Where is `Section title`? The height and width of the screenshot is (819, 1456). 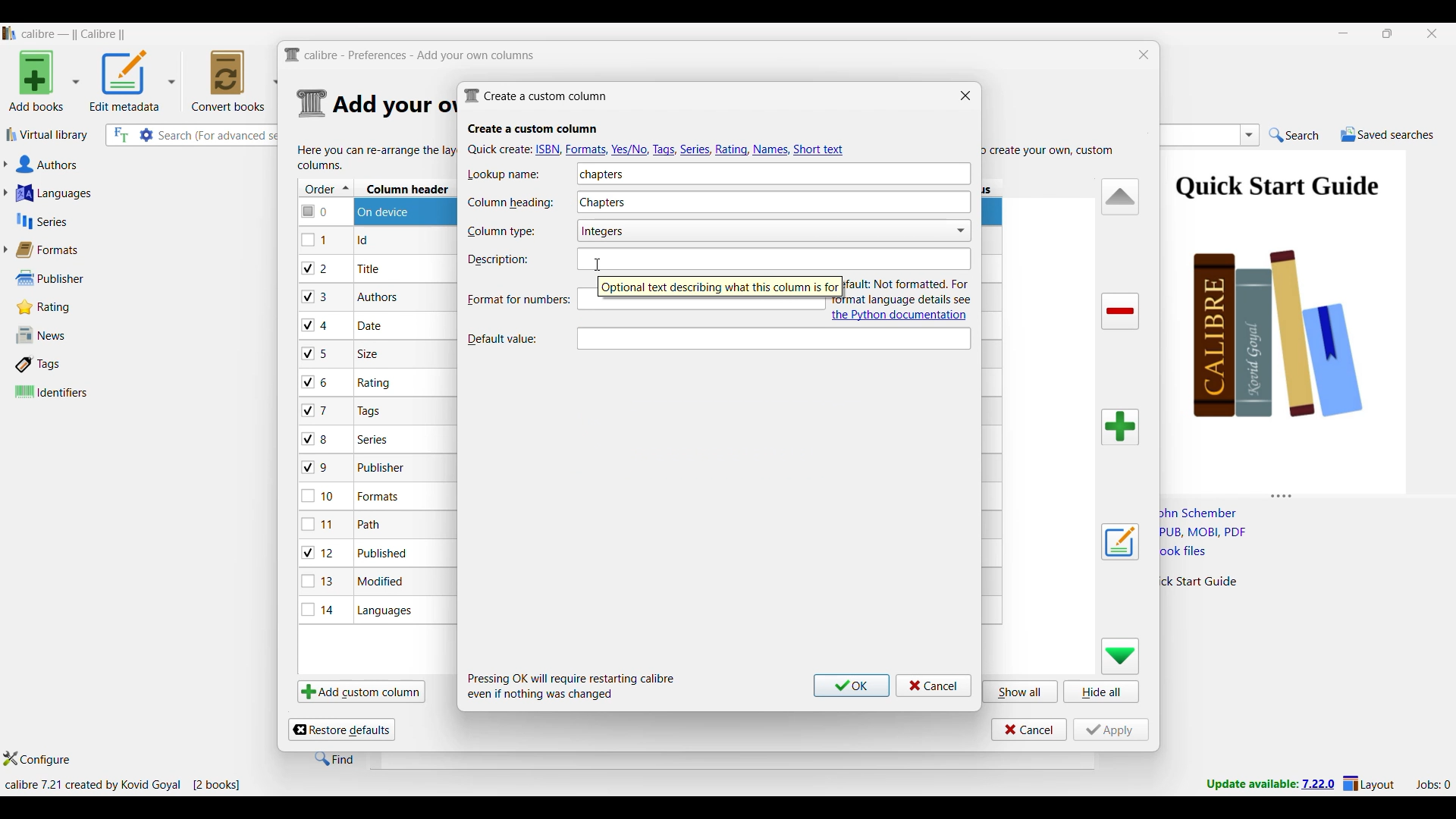
Section title is located at coordinates (533, 129).